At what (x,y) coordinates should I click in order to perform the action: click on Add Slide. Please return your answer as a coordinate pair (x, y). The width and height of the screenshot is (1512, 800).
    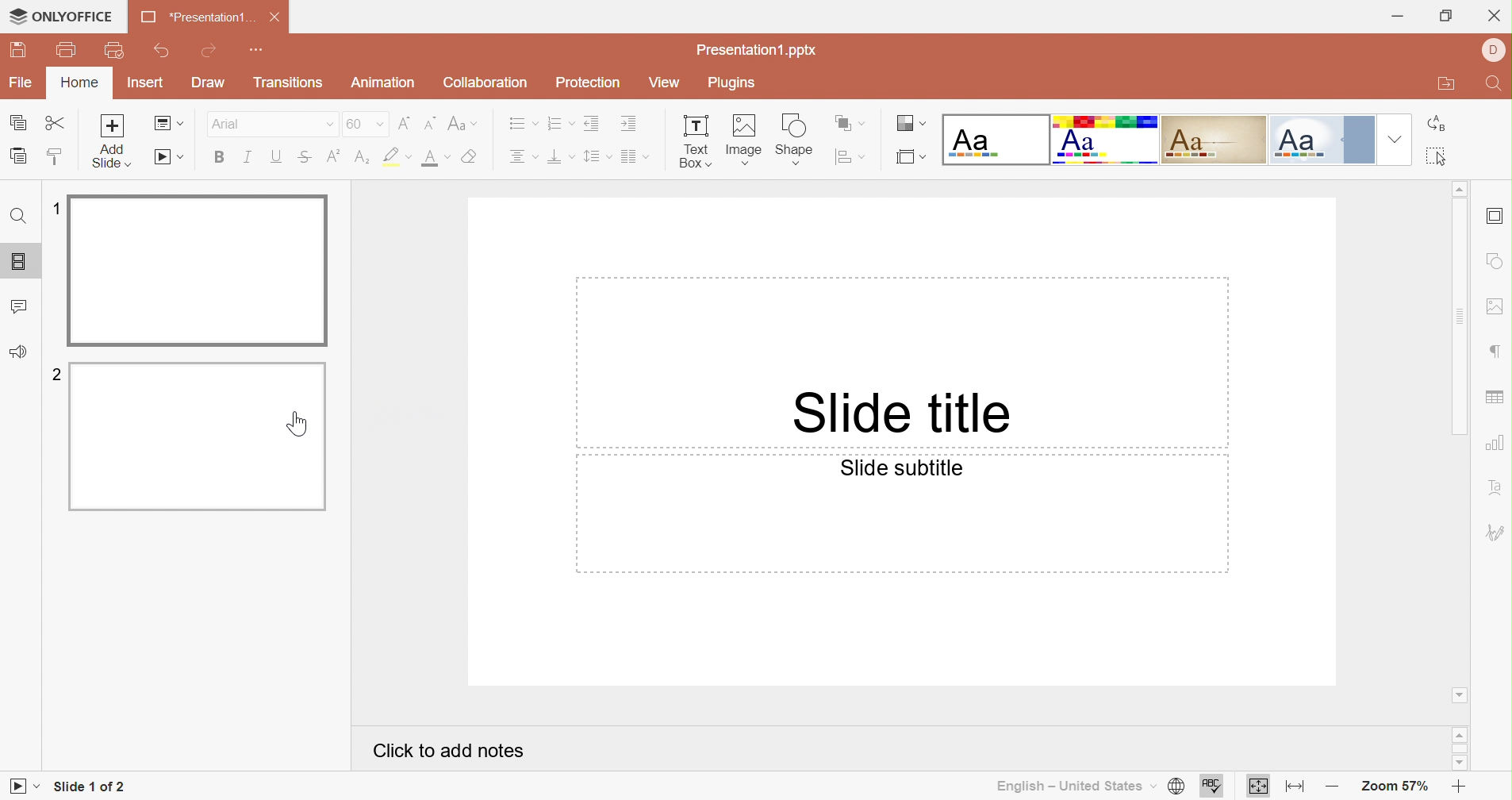
    Looking at the image, I should click on (117, 143).